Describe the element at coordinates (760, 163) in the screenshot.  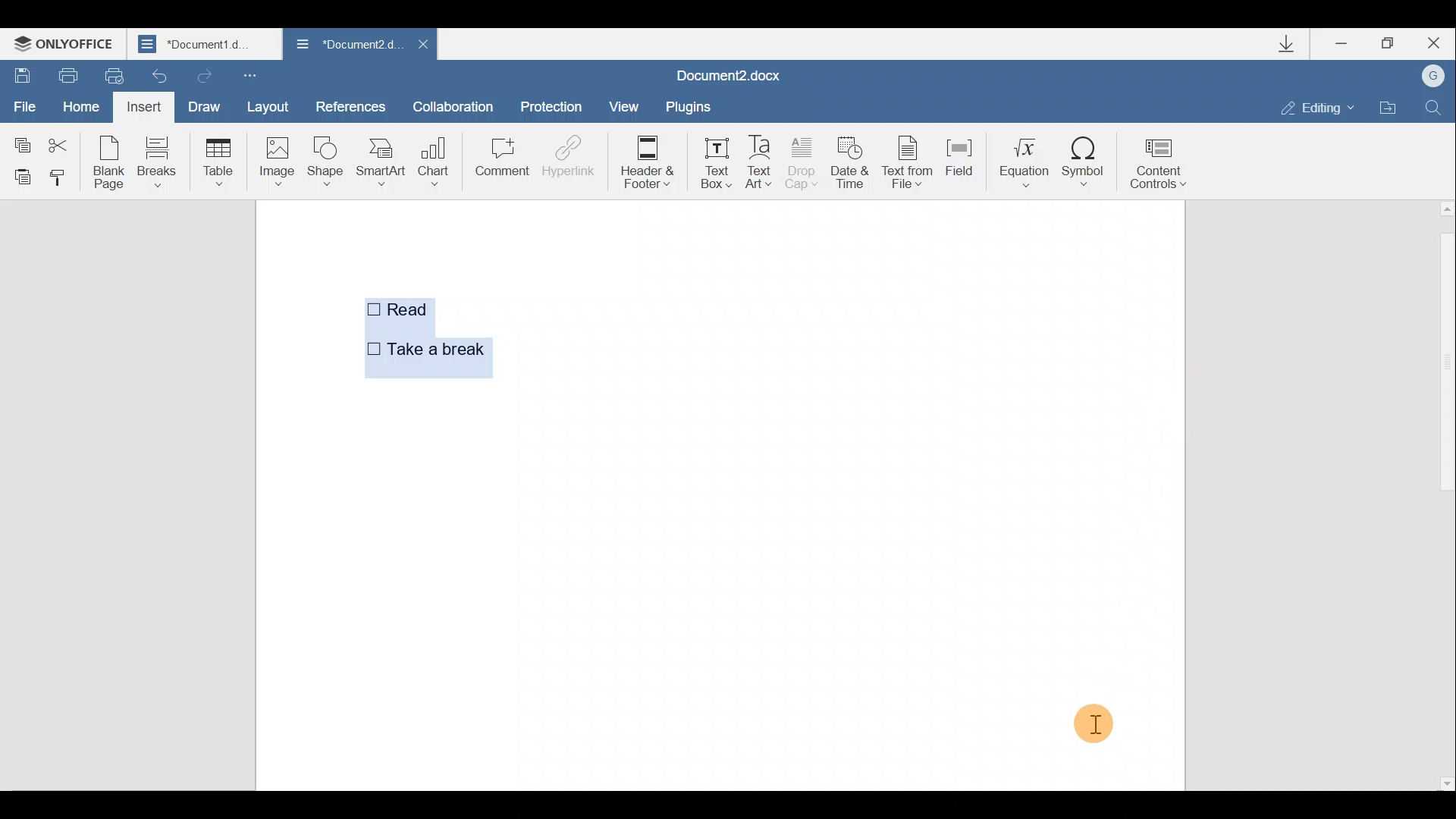
I see `Text Art` at that location.